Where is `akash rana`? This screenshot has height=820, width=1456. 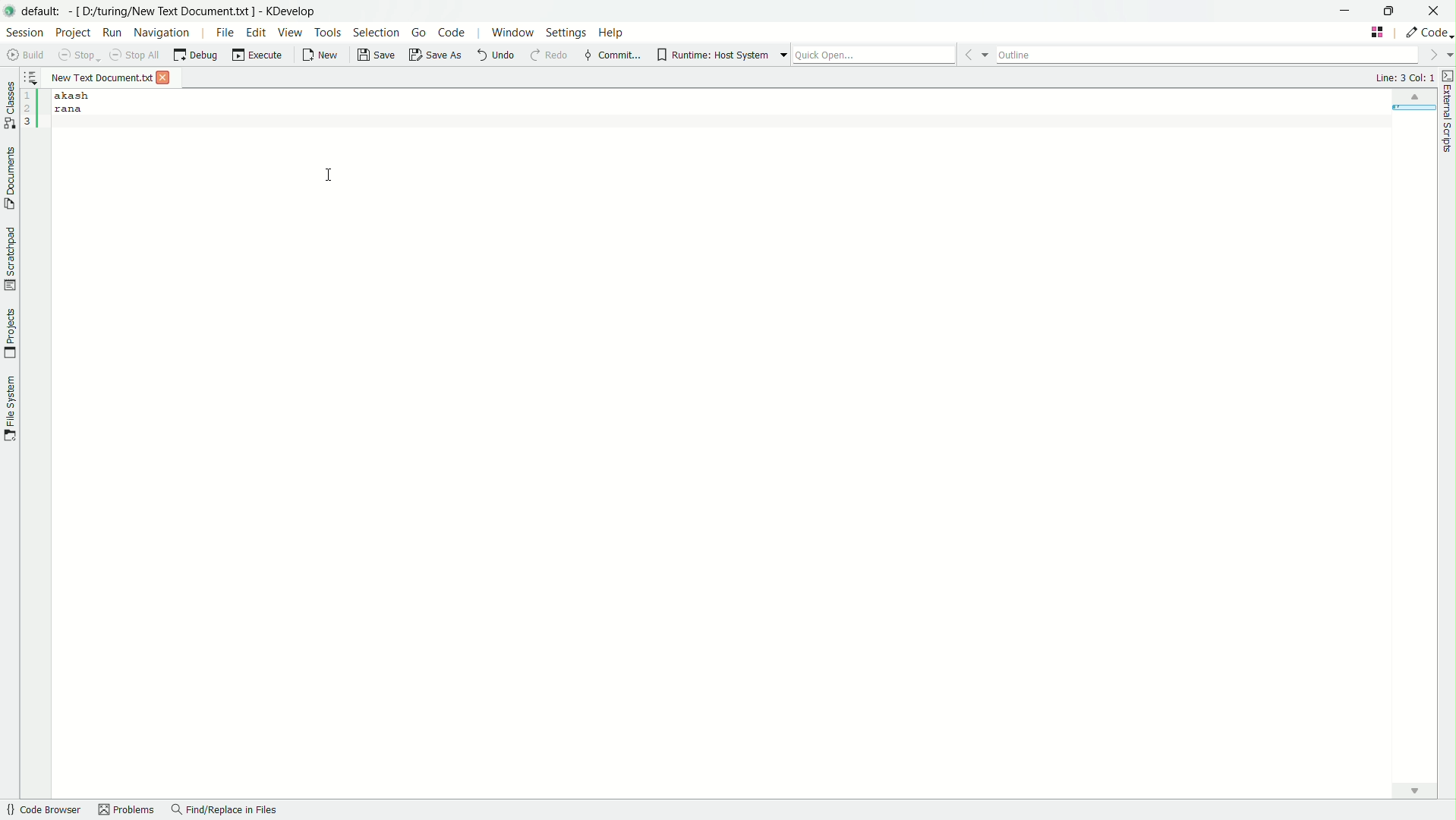 akash rana is located at coordinates (741, 443).